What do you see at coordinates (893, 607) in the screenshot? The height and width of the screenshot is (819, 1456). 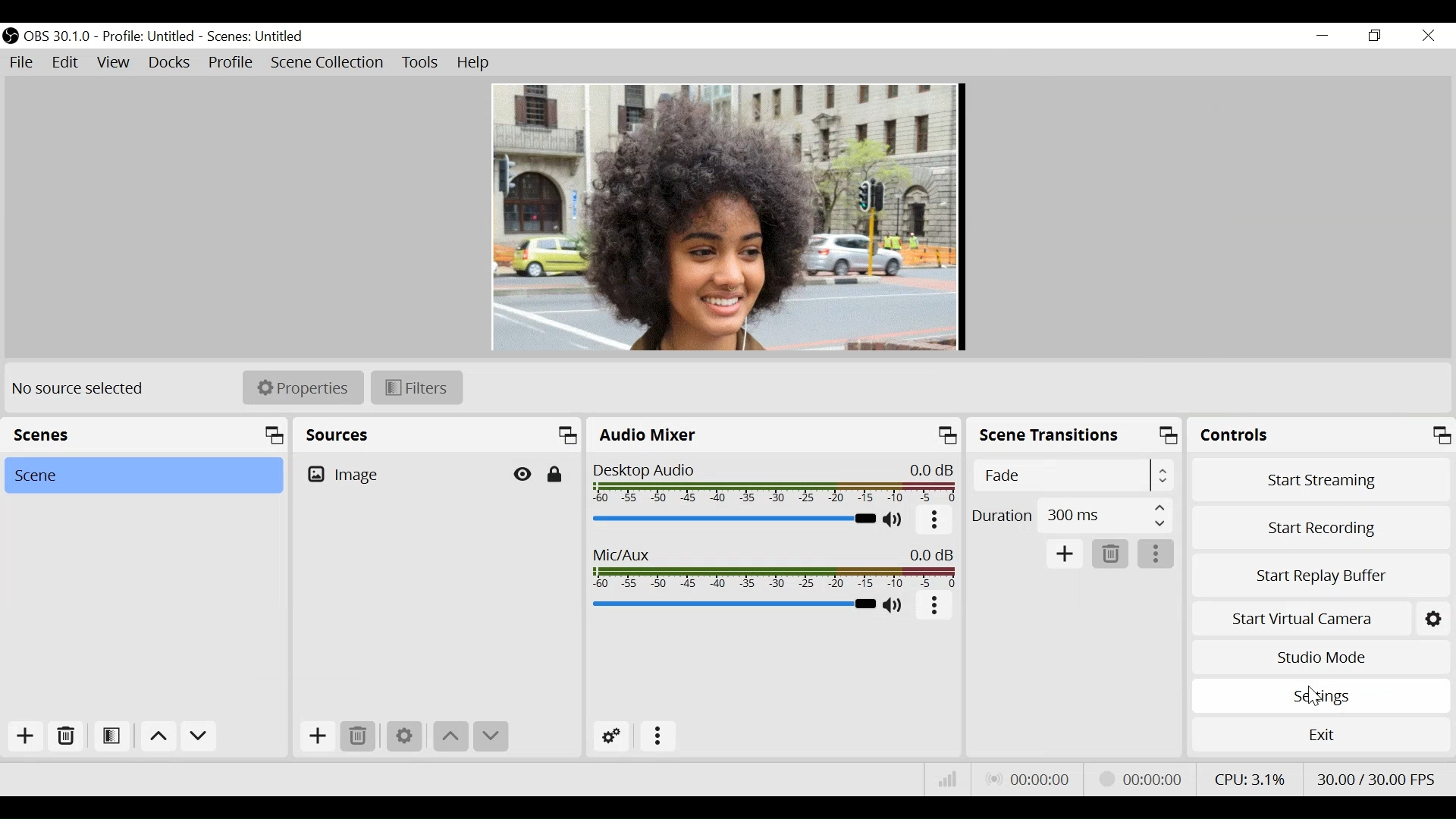 I see `(un)mutr` at bounding box center [893, 607].